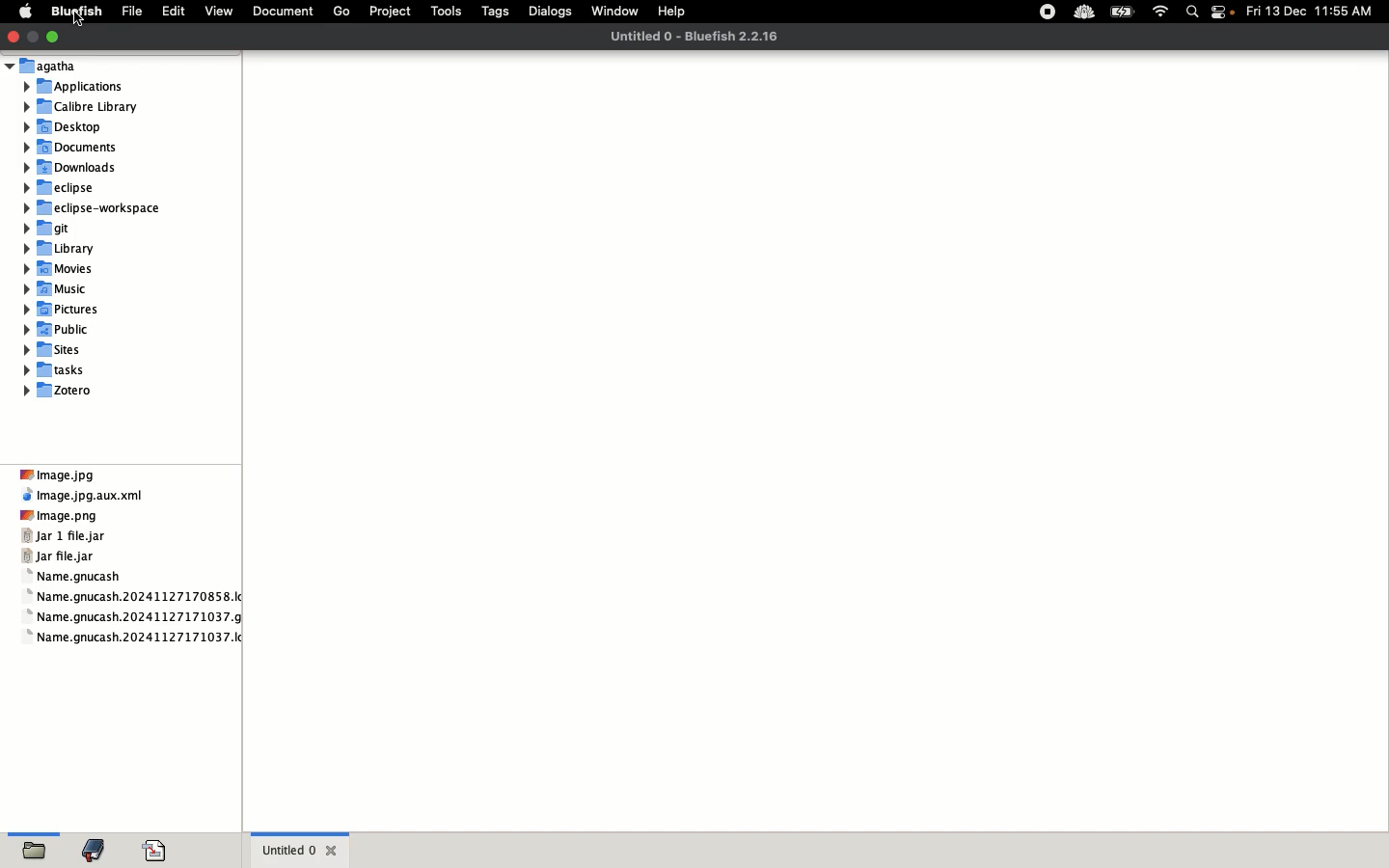  Describe the element at coordinates (552, 13) in the screenshot. I see `dialogs` at that location.